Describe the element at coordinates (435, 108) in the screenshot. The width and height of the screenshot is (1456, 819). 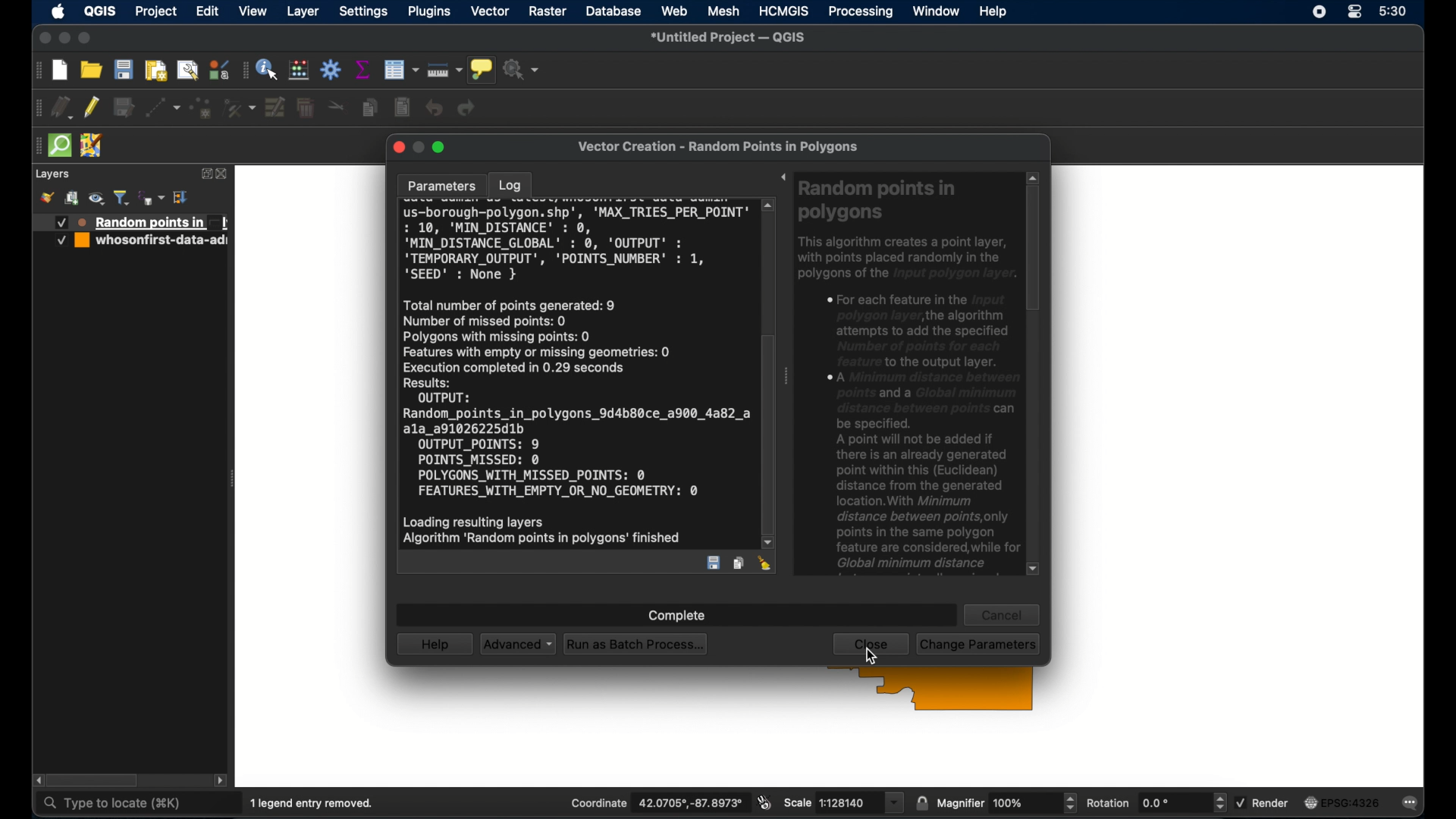
I see `undo` at that location.